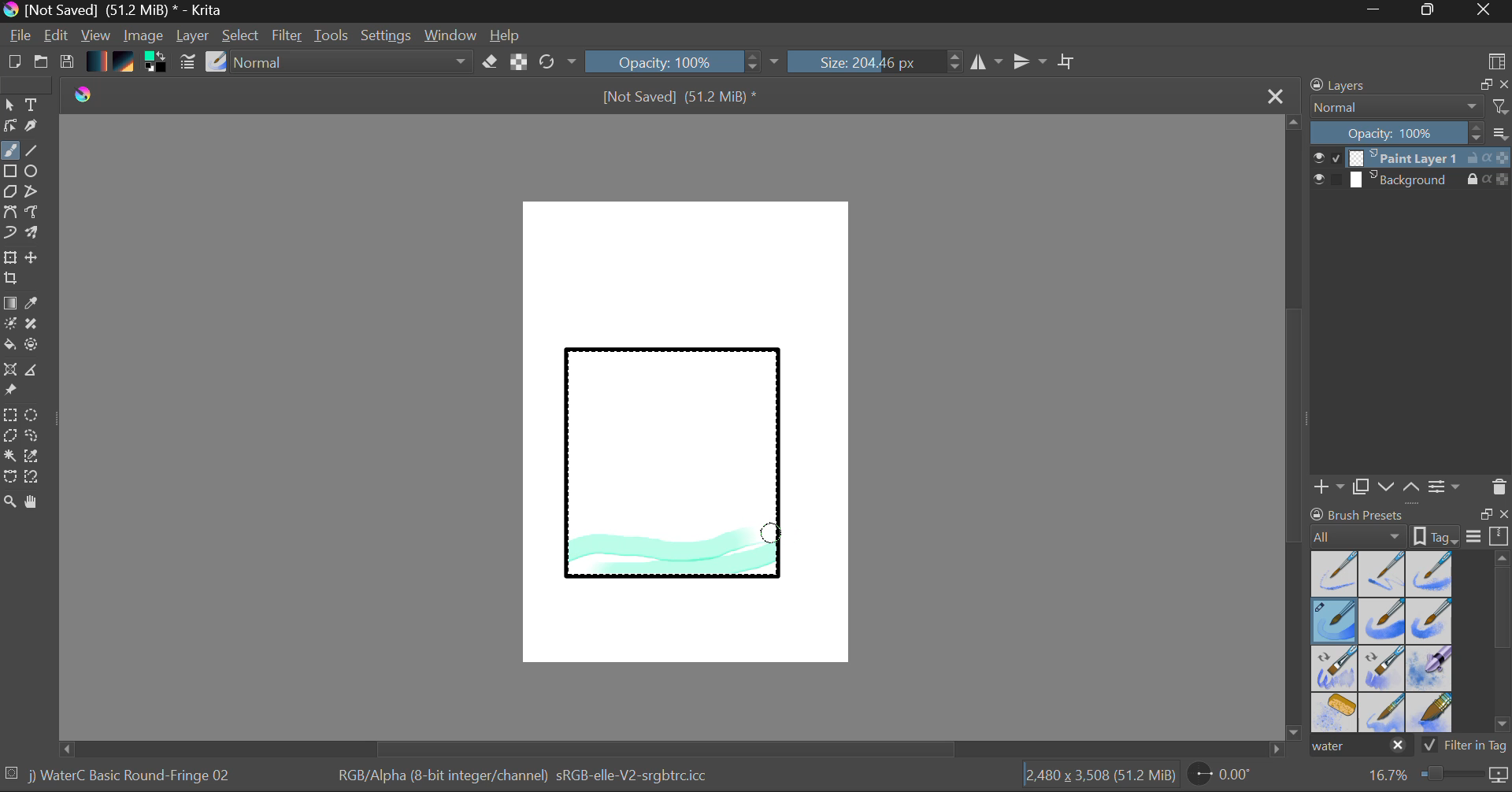 This screenshot has height=792, width=1512. What do you see at coordinates (145, 37) in the screenshot?
I see `Image` at bounding box center [145, 37].